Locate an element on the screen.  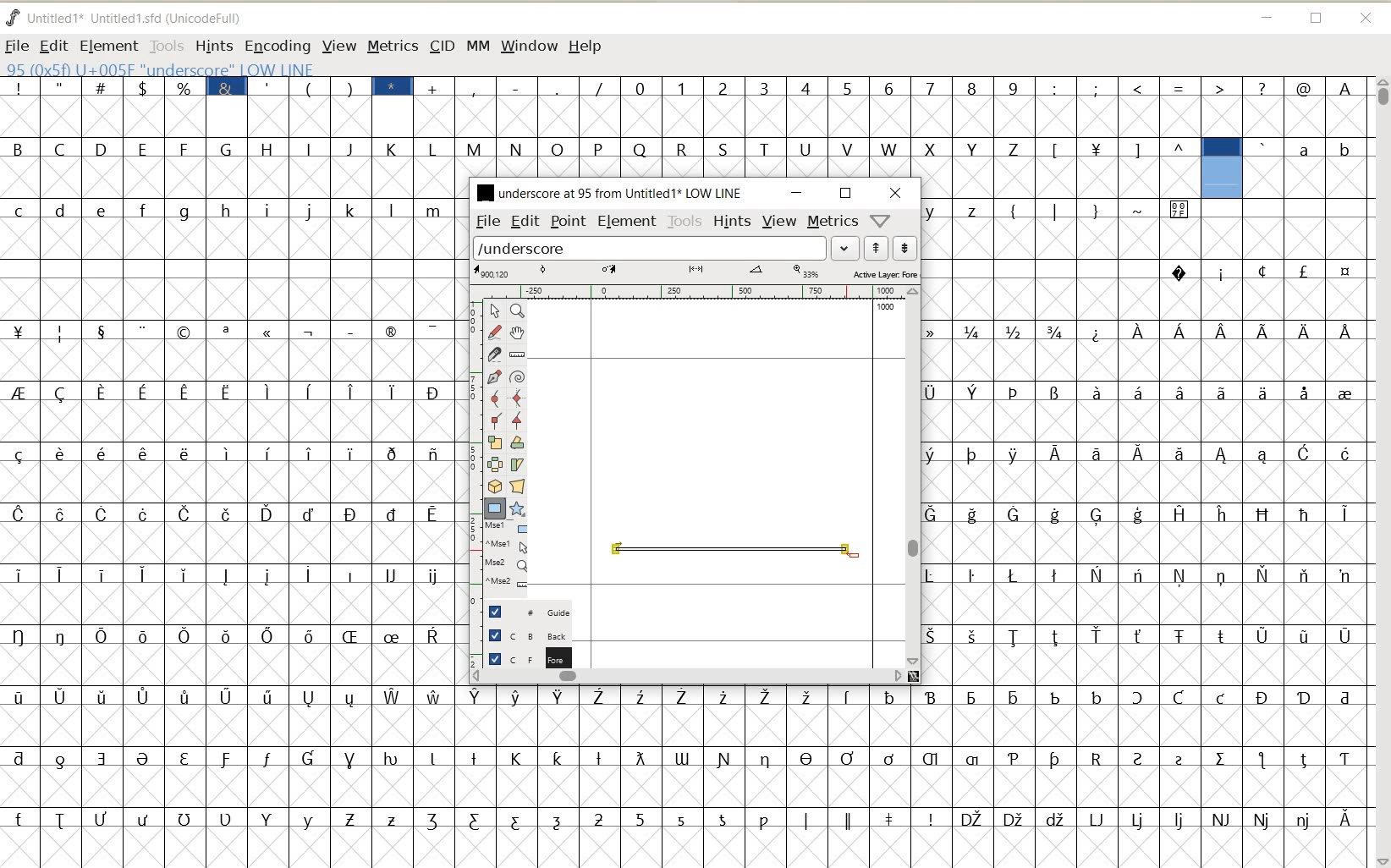
METRICS is located at coordinates (392, 46).